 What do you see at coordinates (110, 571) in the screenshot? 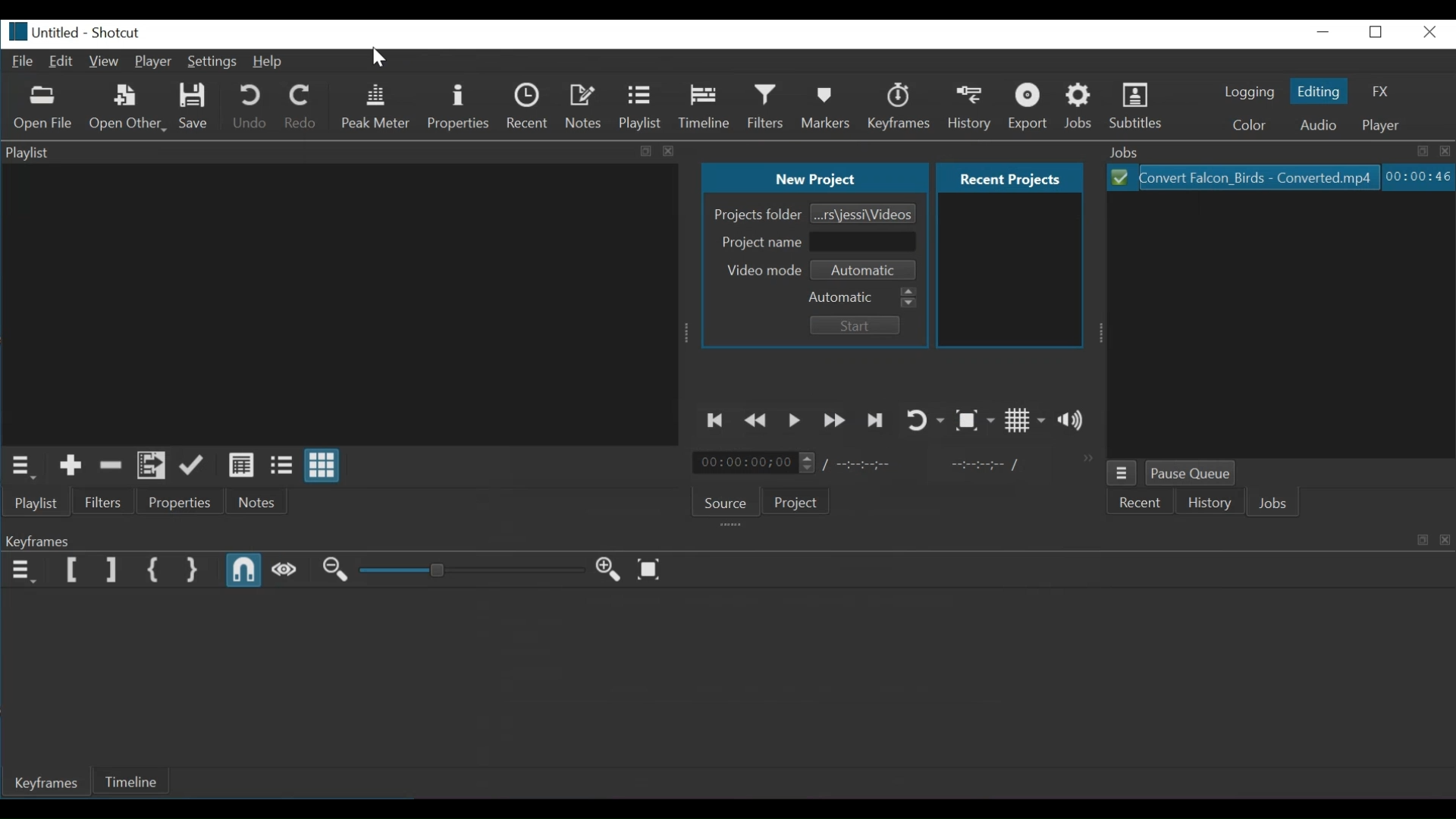
I see `Set Filter Last` at bounding box center [110, 571].